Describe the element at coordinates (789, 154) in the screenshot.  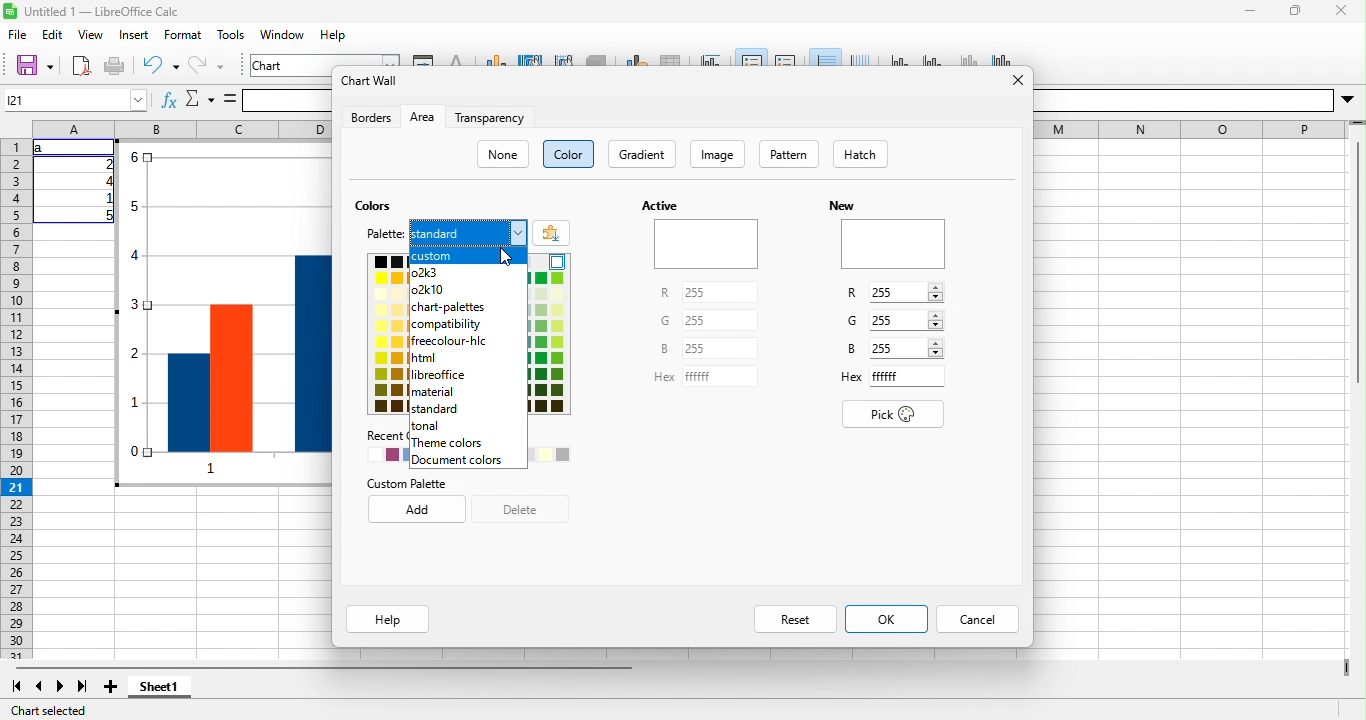
I see `pattern` at that location.